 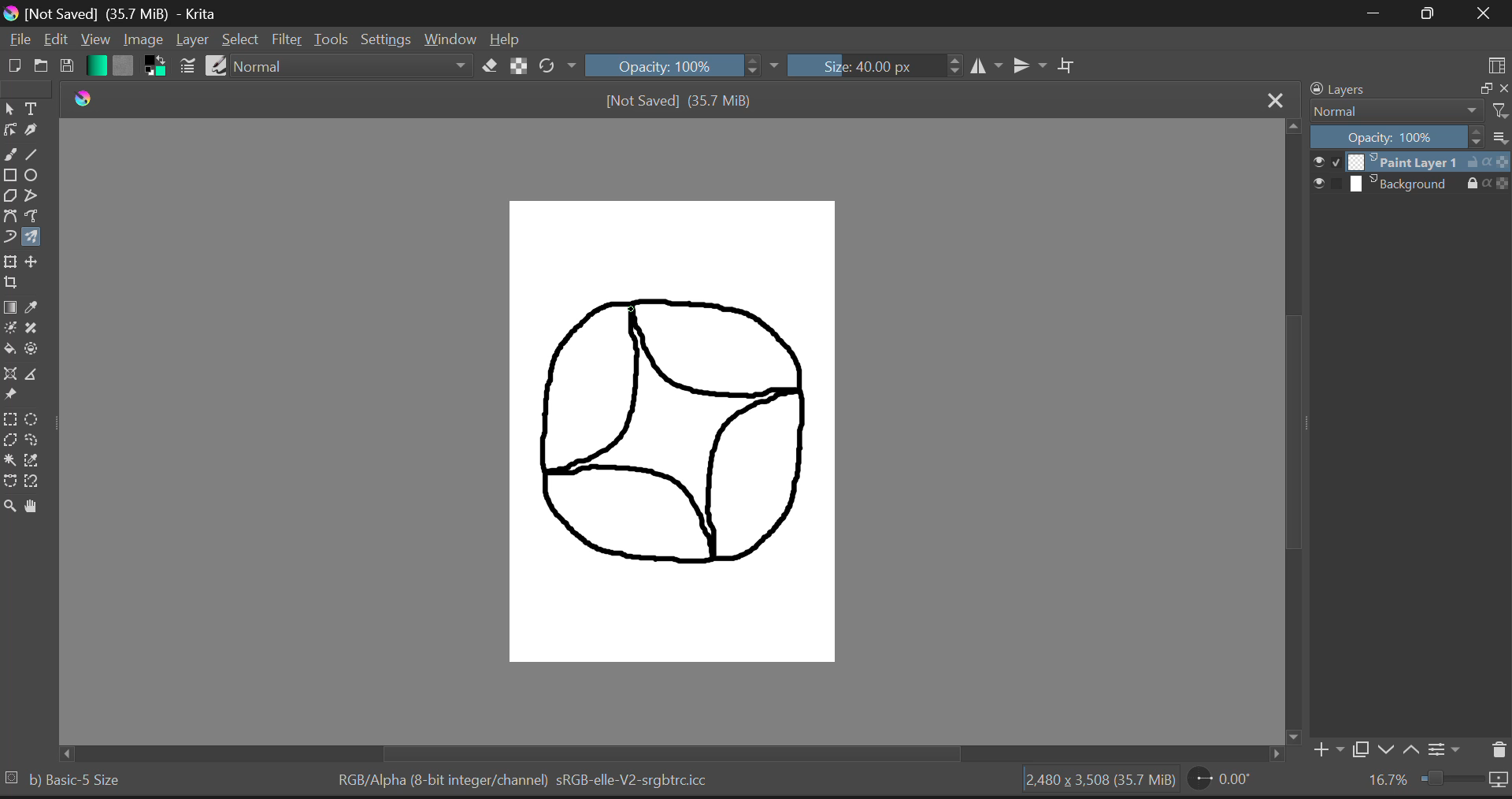 What do you see at coordinates (39, 67) in the screenshot?
I see `Open` at bounding box center [39, 67].